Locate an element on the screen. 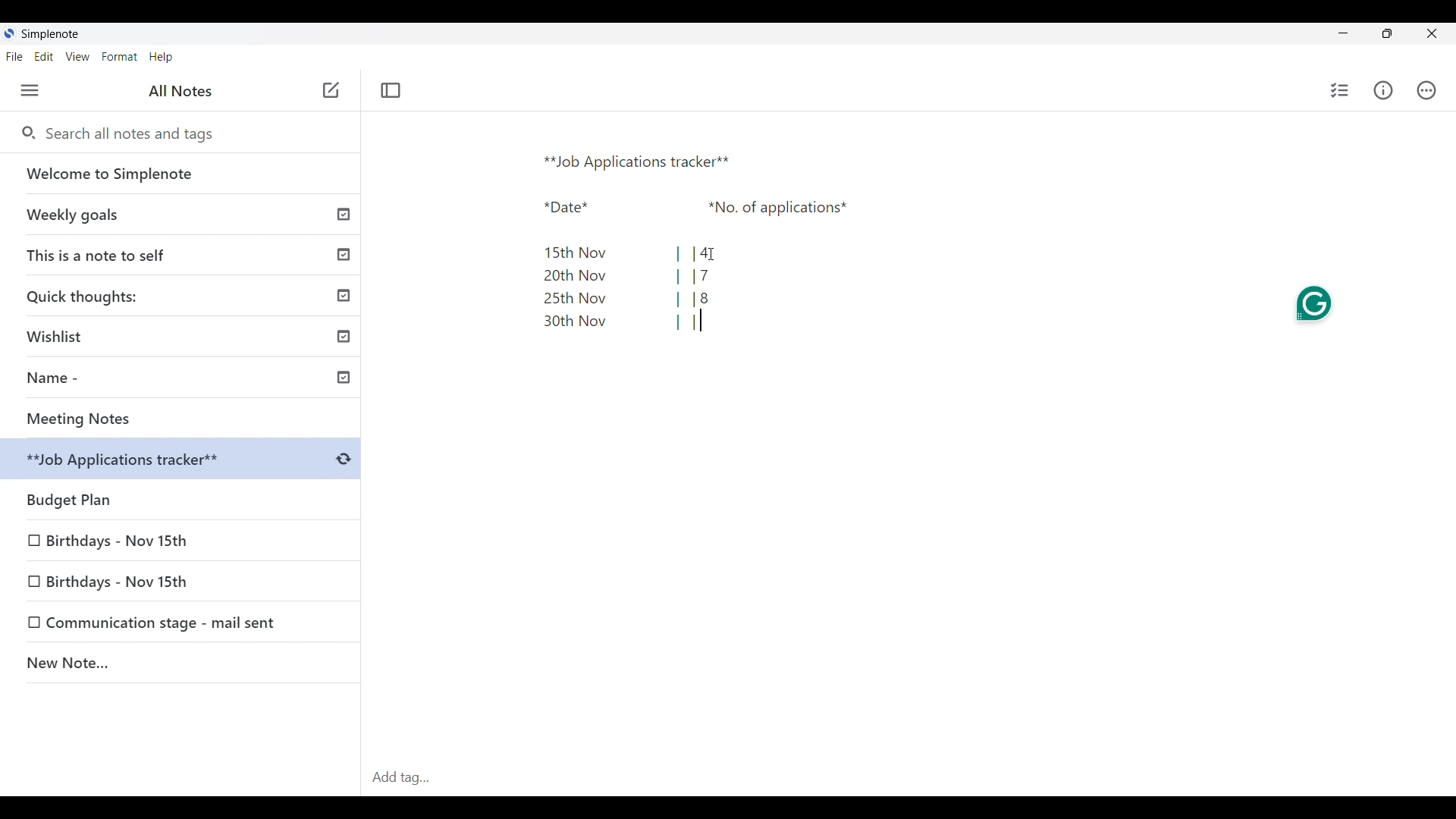 This screenshot has width=1456, height=819. Hel is located at coordinates (161, 58).